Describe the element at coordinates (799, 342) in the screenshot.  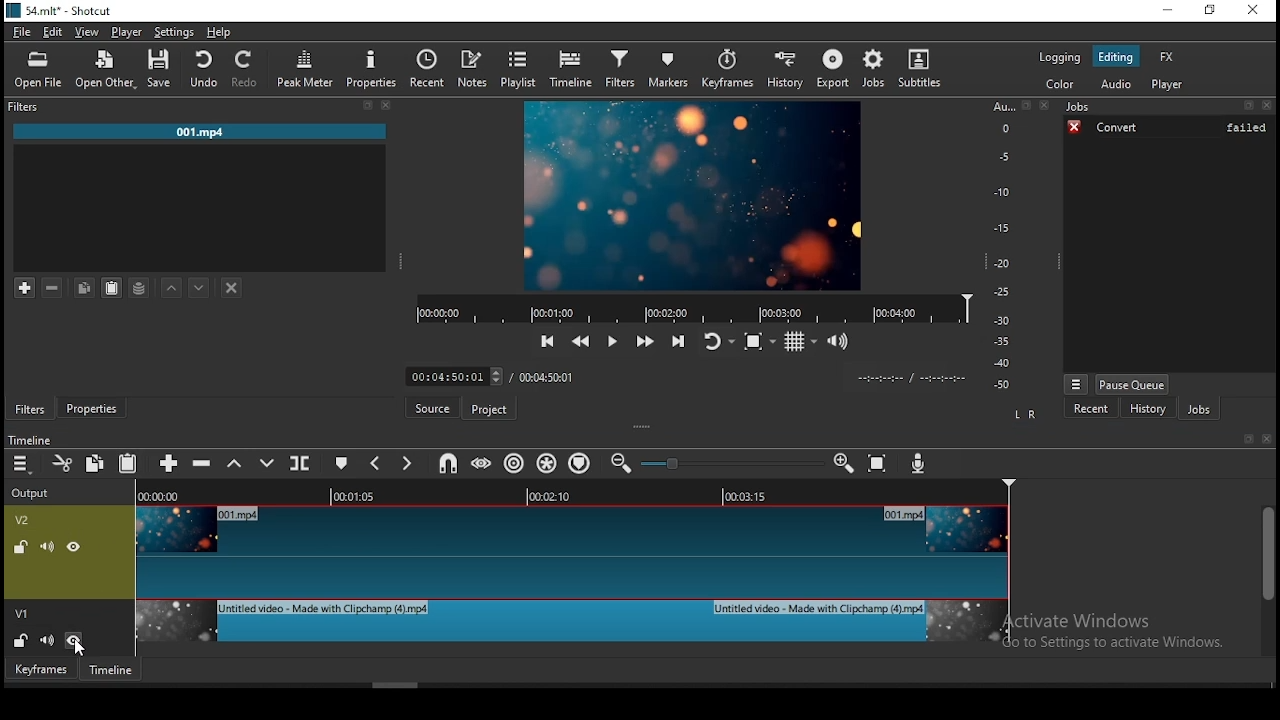
I see `toggle grid display on the player` at that location.